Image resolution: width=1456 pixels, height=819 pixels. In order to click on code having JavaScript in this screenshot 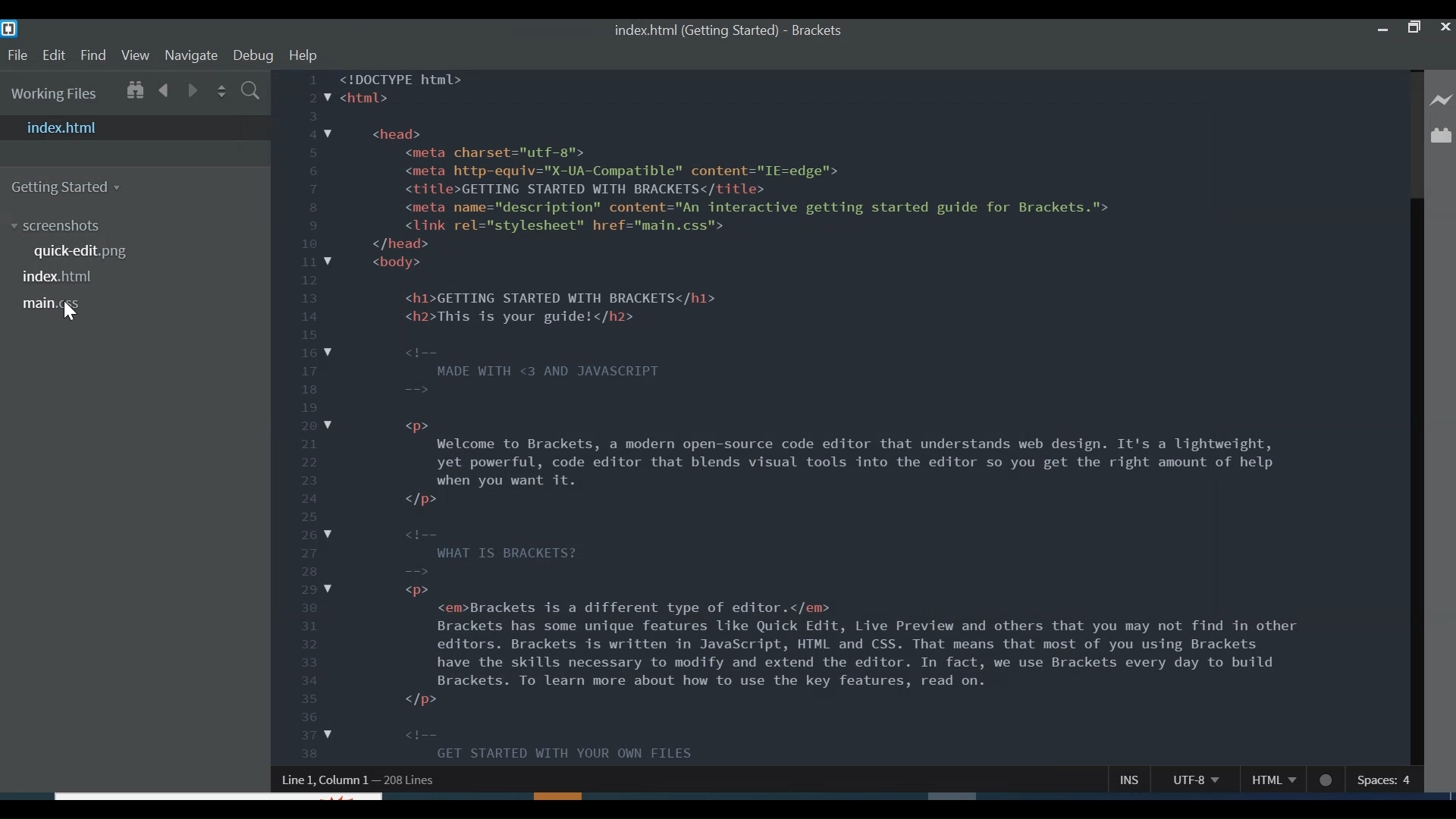, I will do `click(835, 418)`.